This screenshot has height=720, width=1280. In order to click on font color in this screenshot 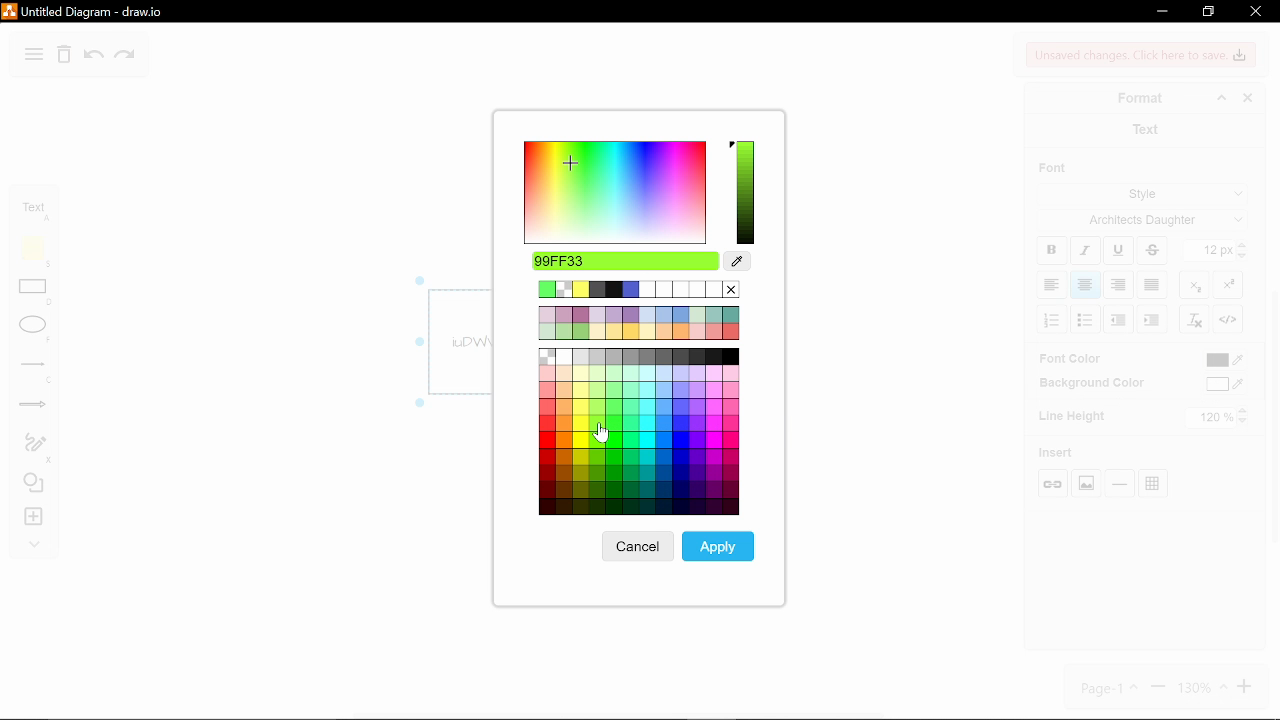, I will do `click(1226, 360)`.